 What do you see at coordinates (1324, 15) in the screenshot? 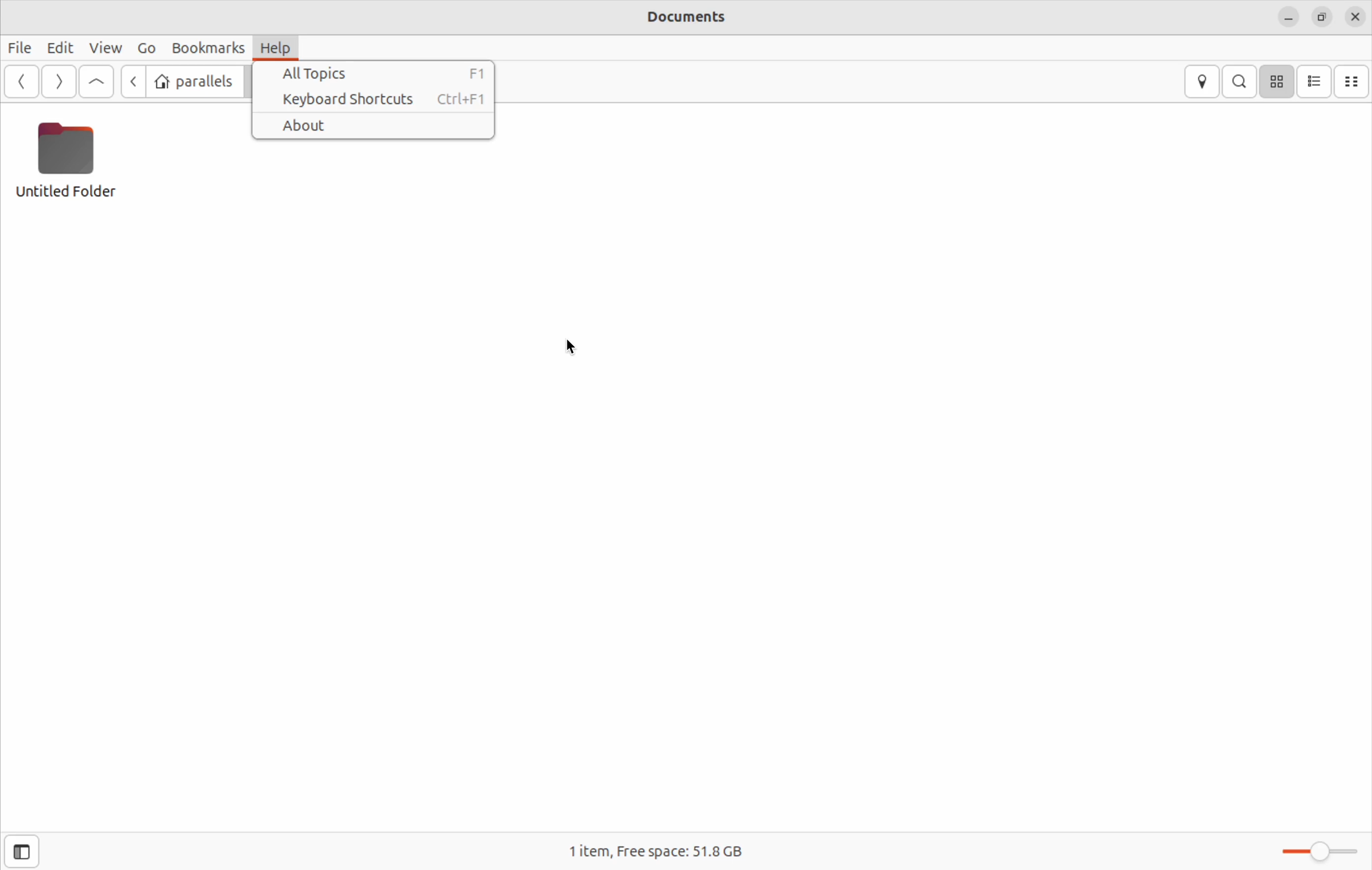
I see `resize` at bounding box center [1324, 15].